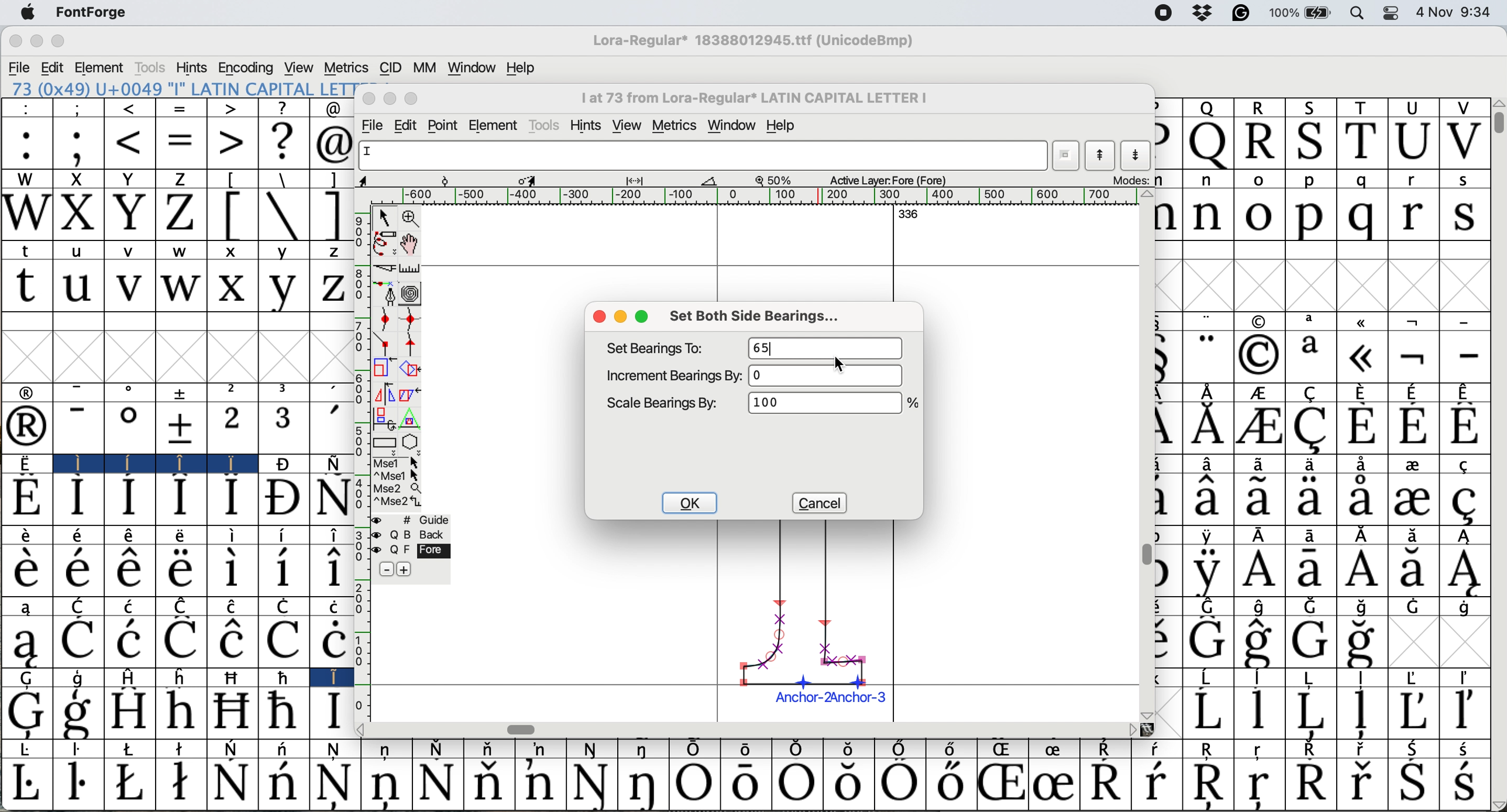 The height and width of the screenshot is (812, 1507). Describe the element at coordinates (789, 125) in the screenshot. I see `help` at that location.